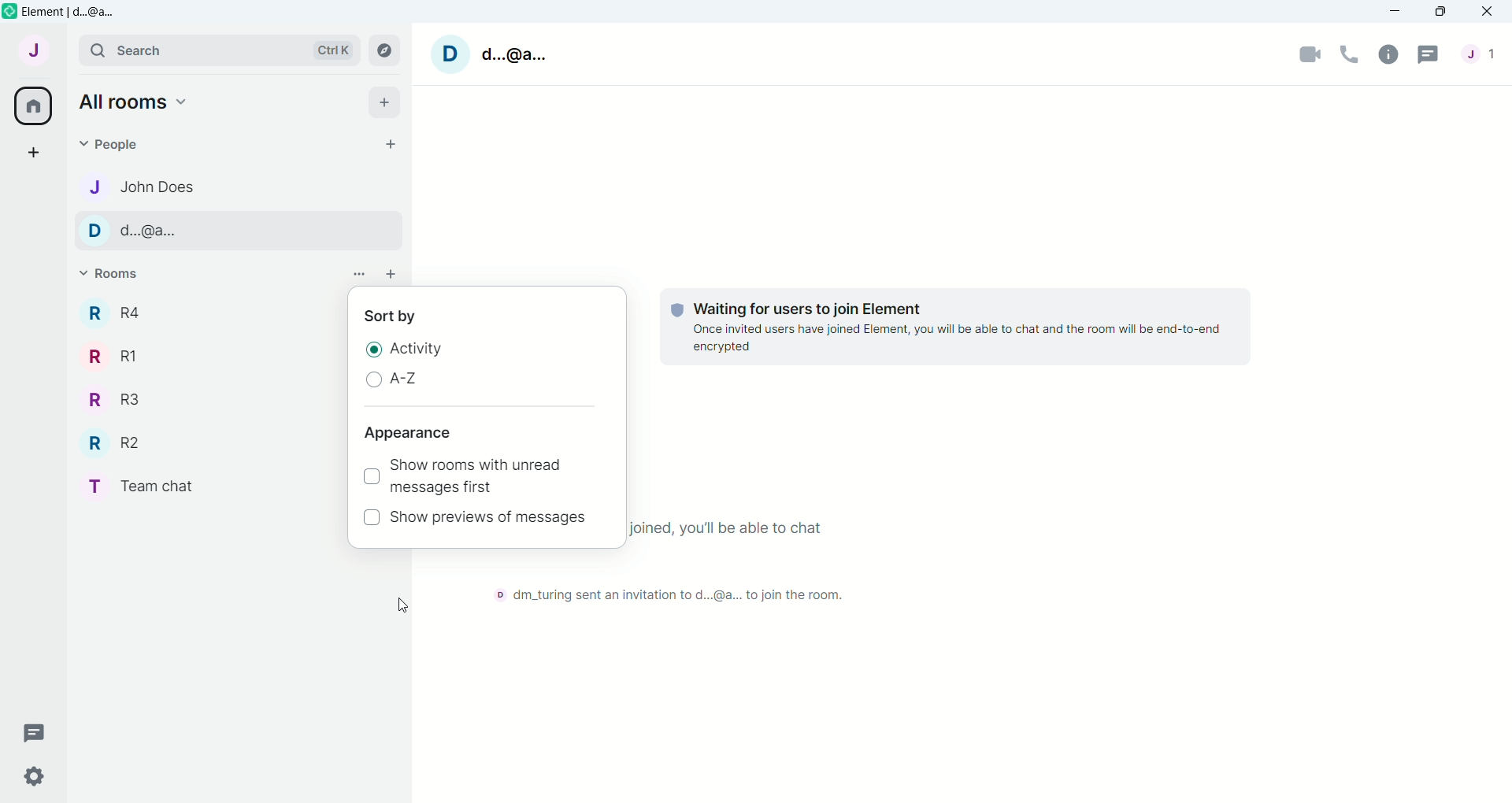  Describe the element at coordinates (1308, 54) in the screenshot. I see `Video Call` at that location.